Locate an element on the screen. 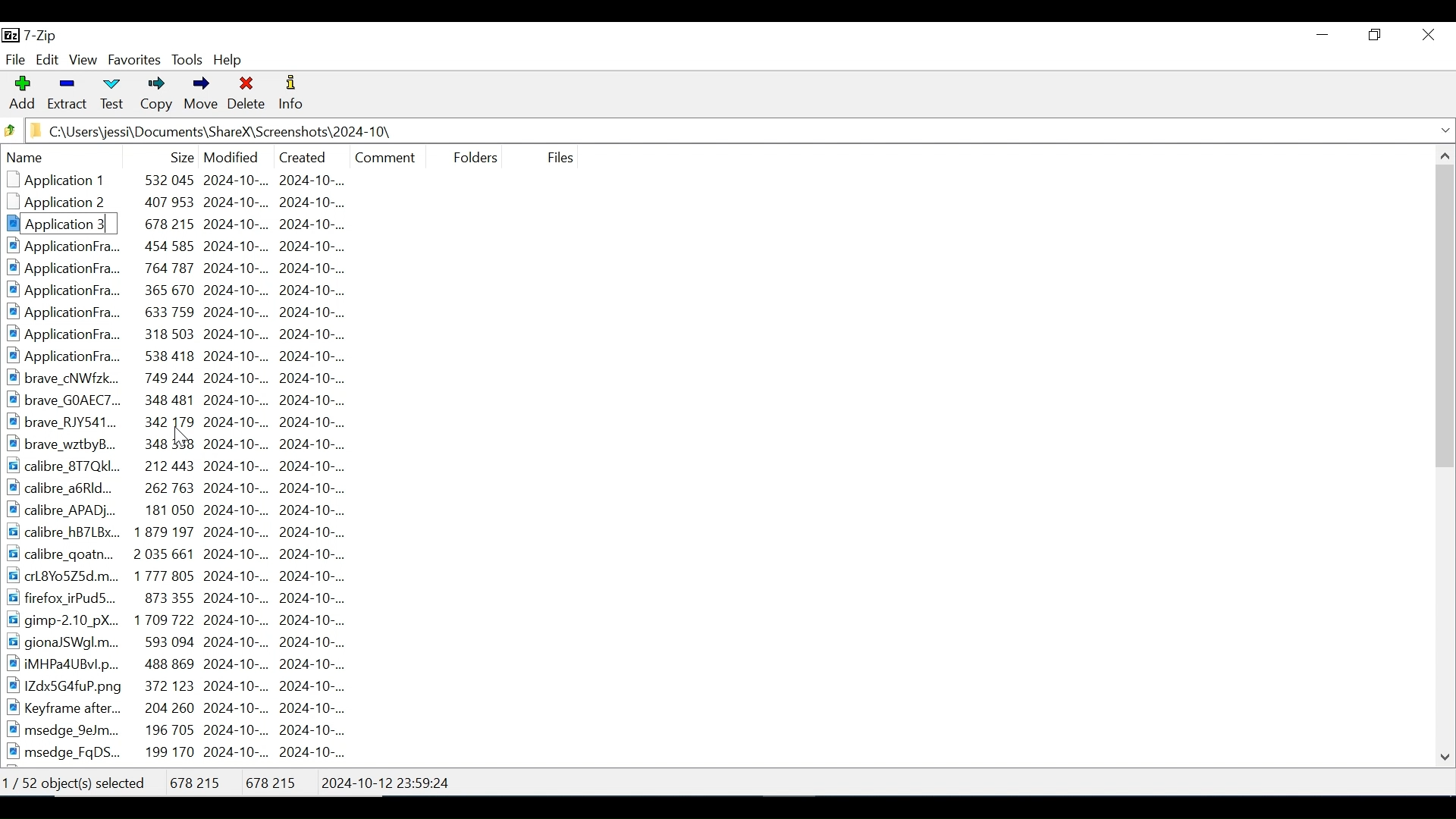 This screenshot has height=819, width=1456. ApplicationFra.. 365 670 2024-10-.. 2024-10-... is located at coordinates (186, 290).